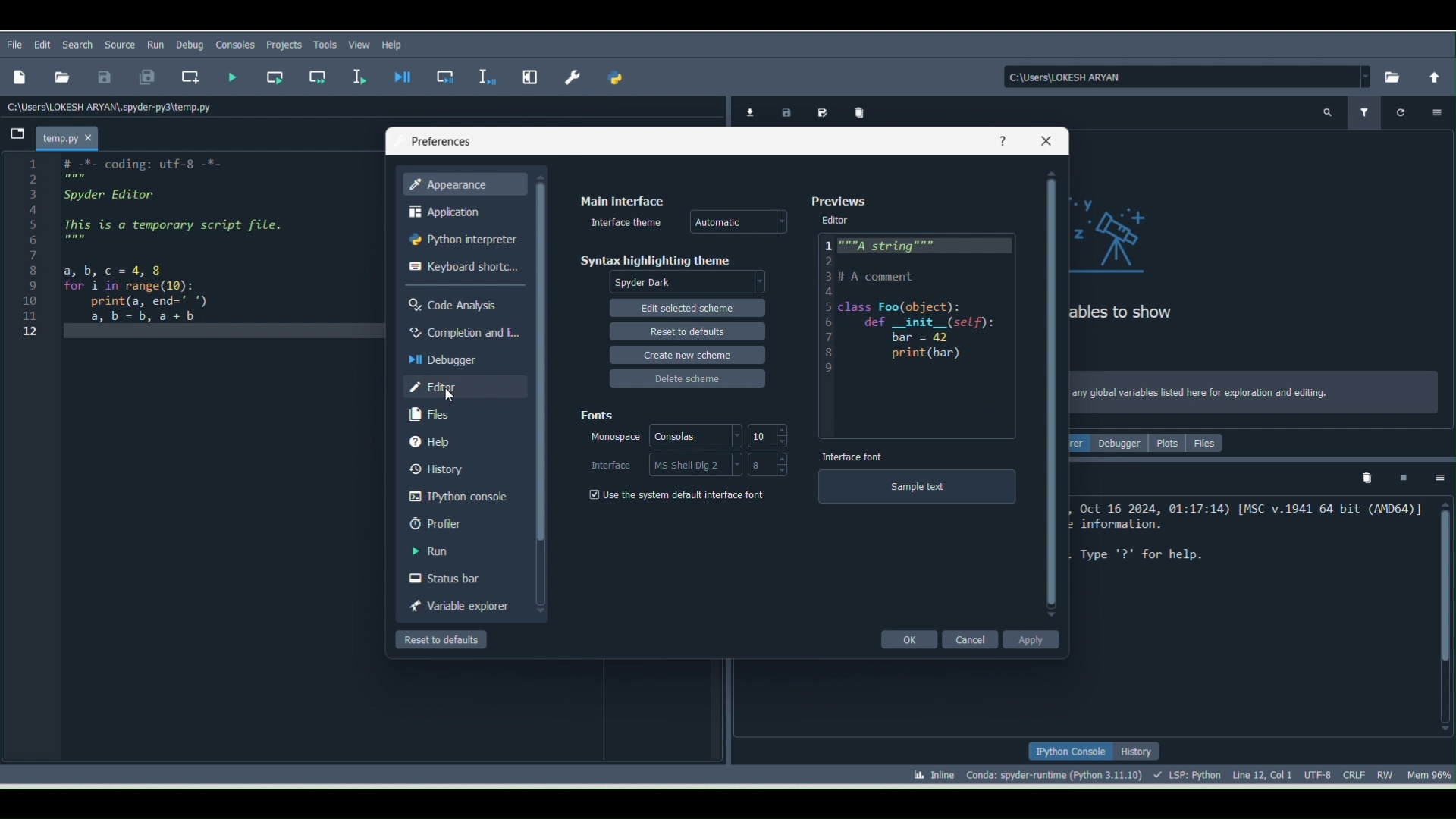 This screenshot has width=1456, height=819. I want to click on History, so click(464, 466).